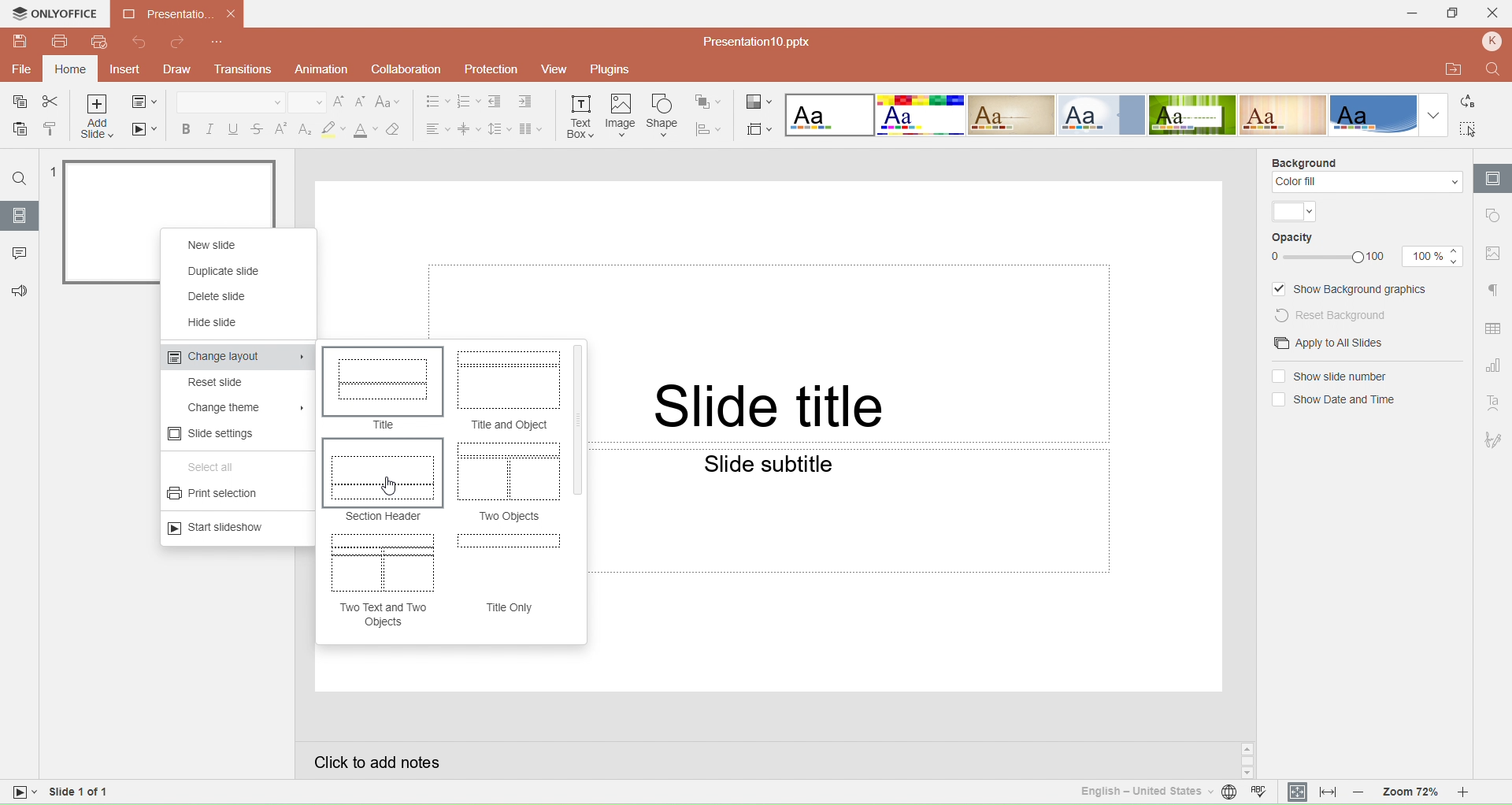 Image resolution: width=1512 pixels, height=805 pixels. Describe the element at coordinates (468, 102) in the screenshot. I see `Numbering` at that location.